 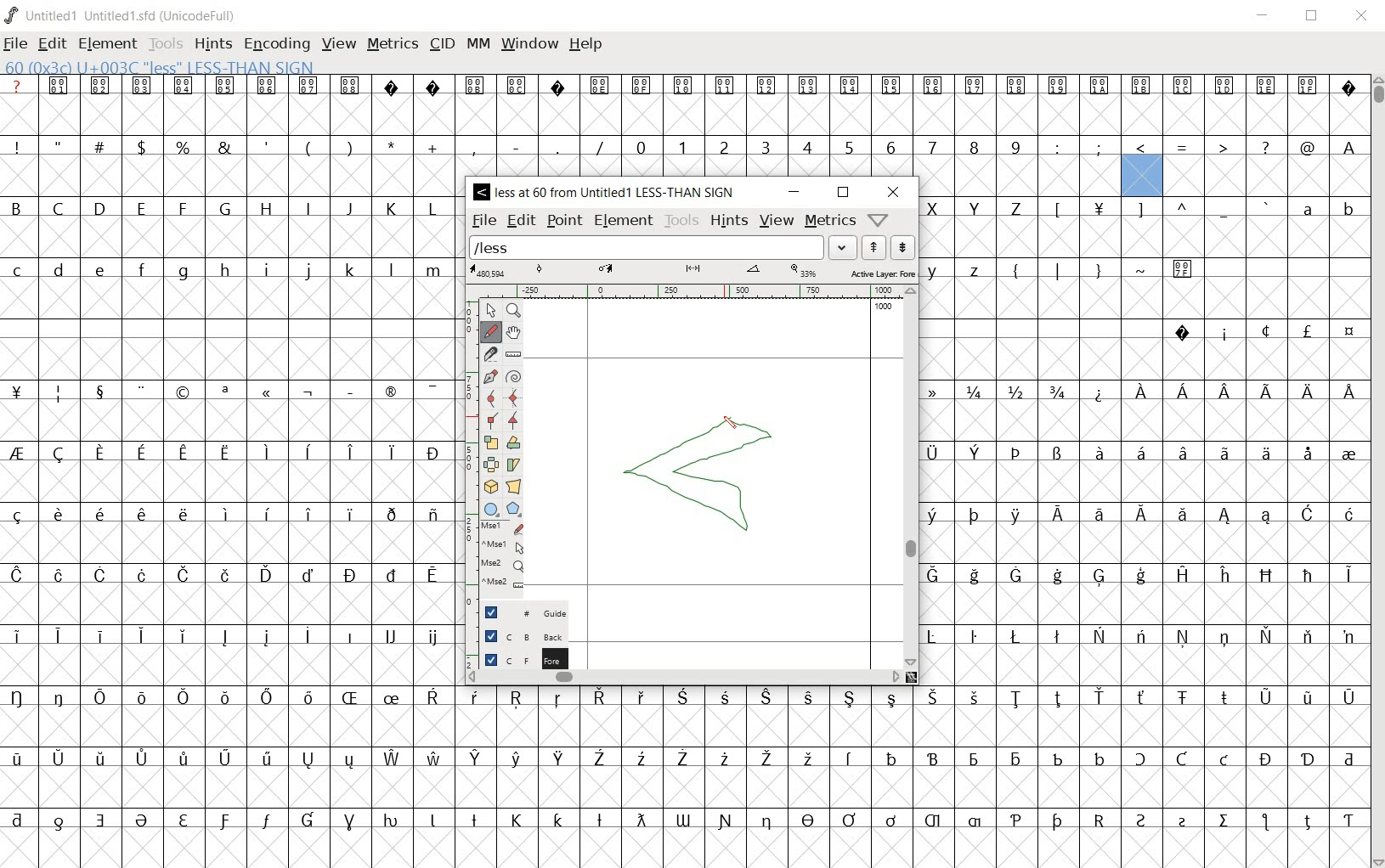 I want to click on scale the selection, so click(x=490, y=441).